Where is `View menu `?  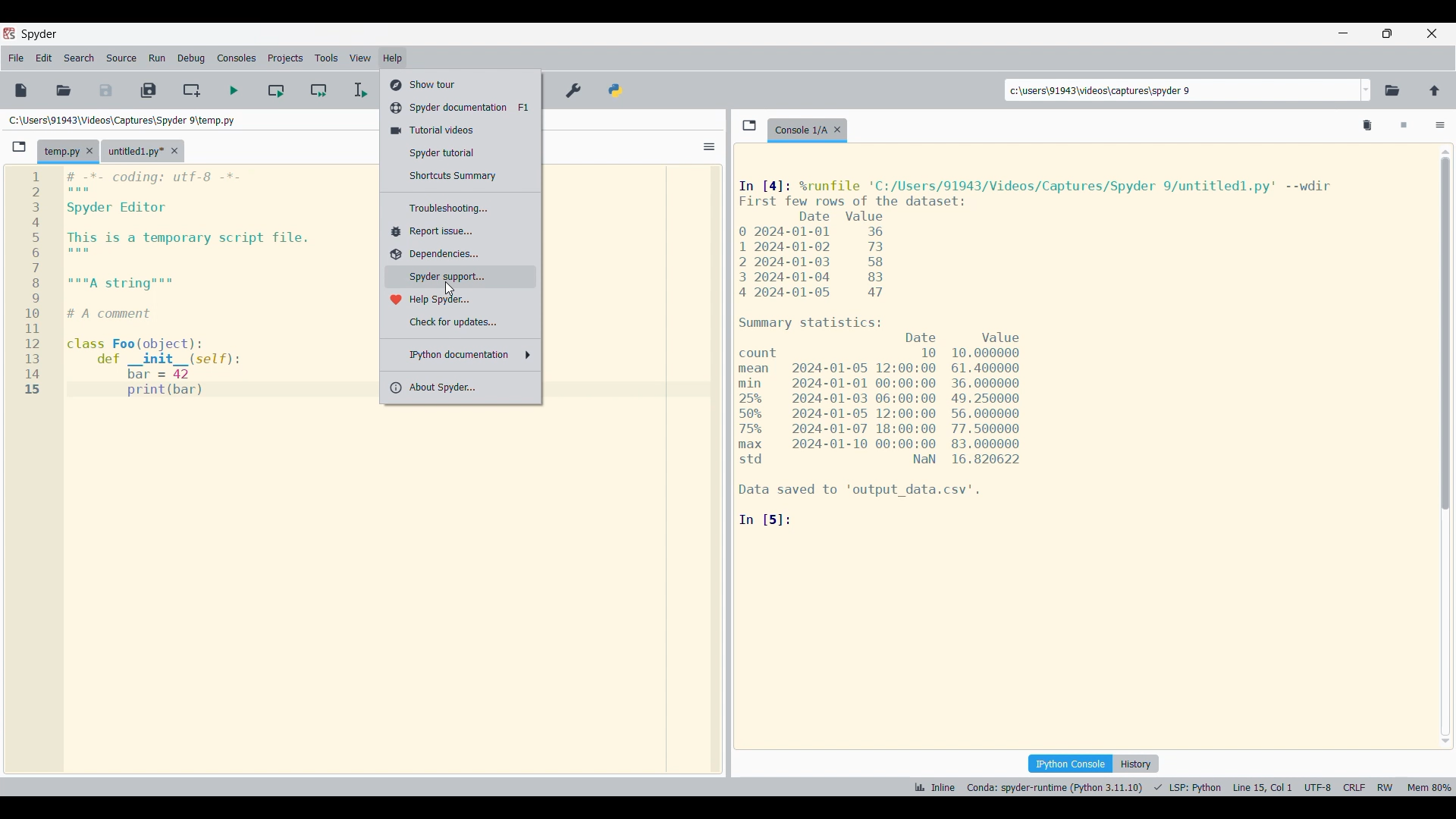
View menu  is located at coordinates (359, 58).